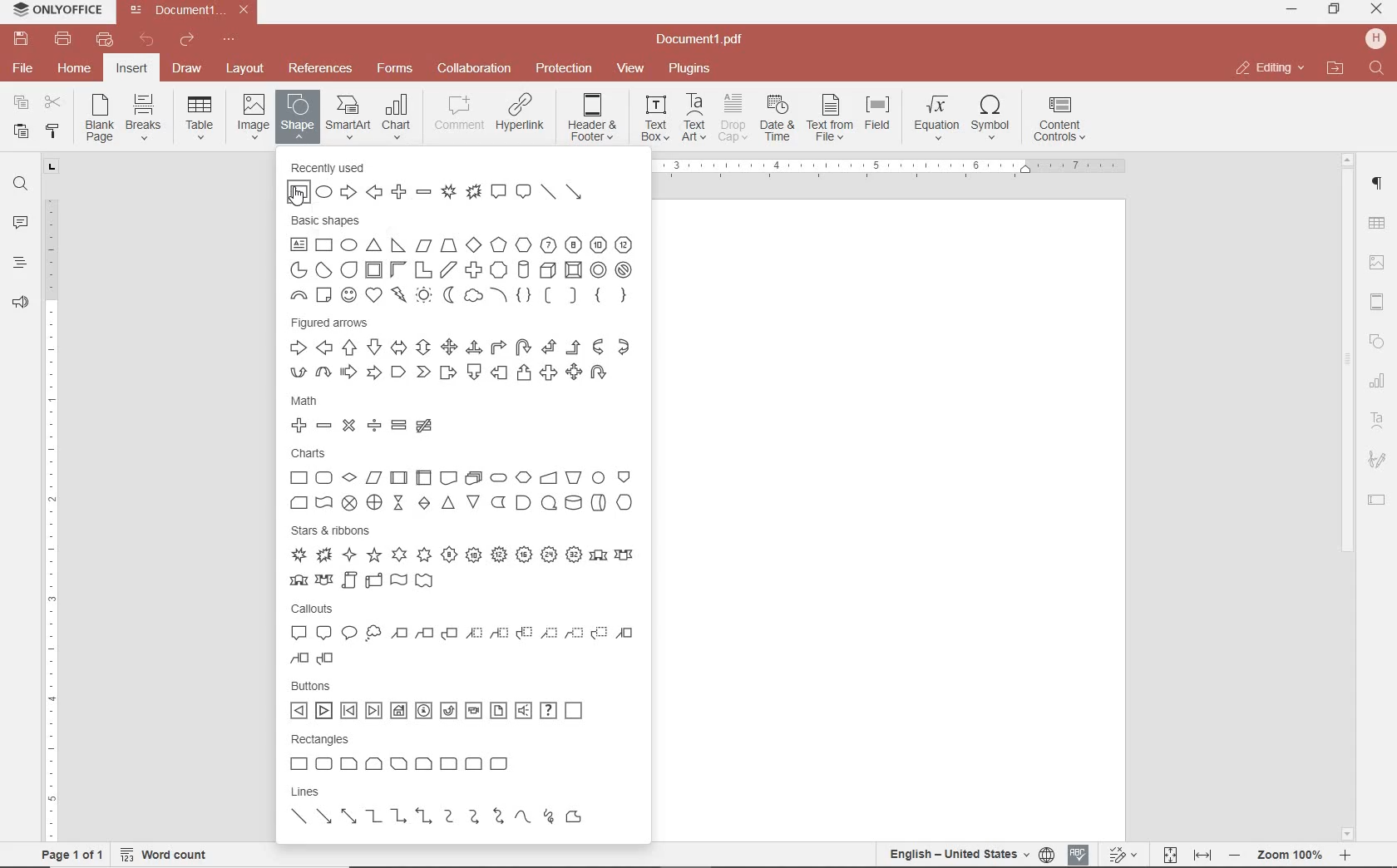  I want to click on ruler, so click(52, 508).